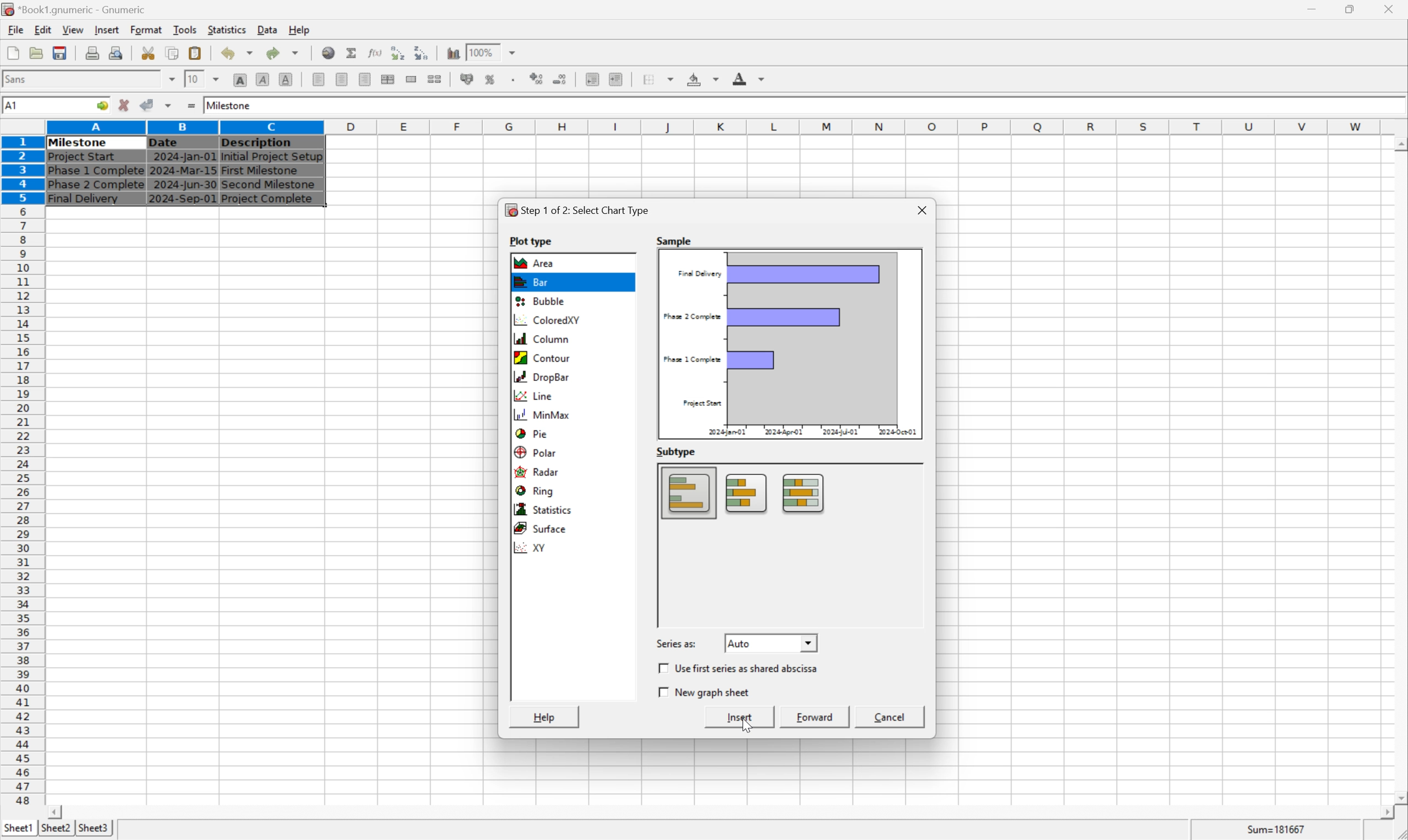  I want to click on underline, so click(286, 79).